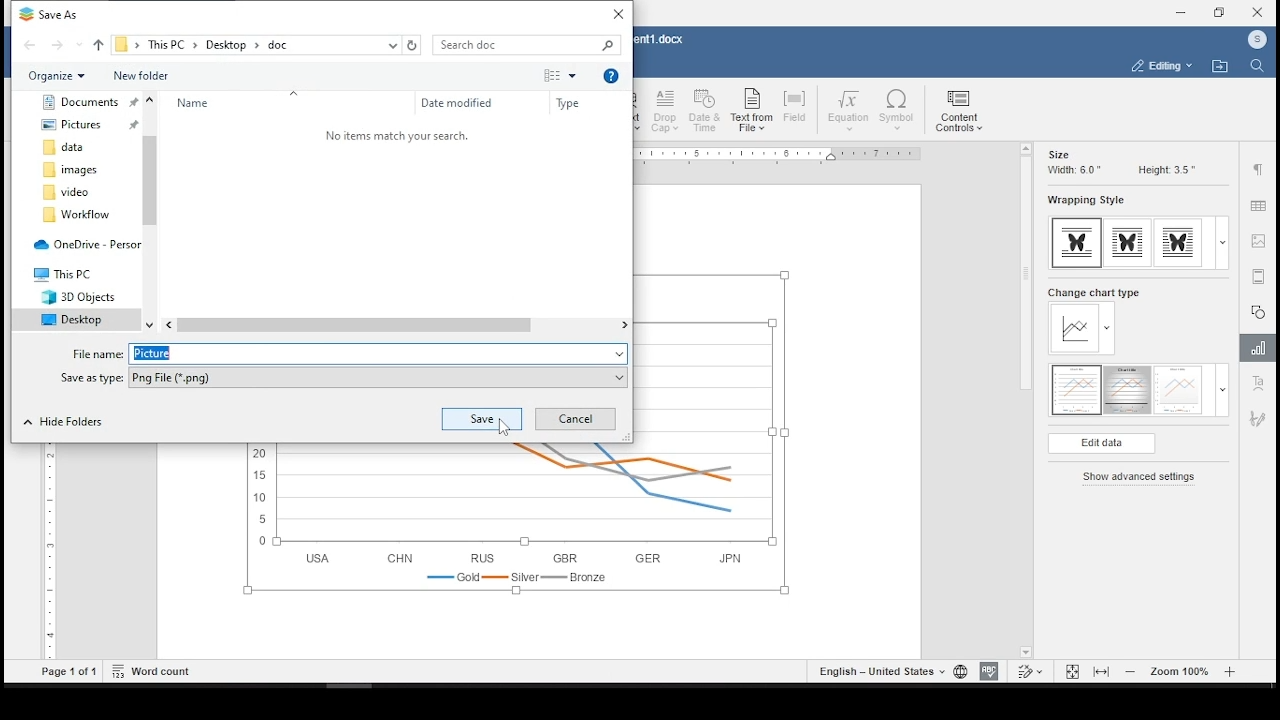  What do you see at coordinates (706, 111) in the screenshot?
I see `date and time` at bounding box center [706, 111].